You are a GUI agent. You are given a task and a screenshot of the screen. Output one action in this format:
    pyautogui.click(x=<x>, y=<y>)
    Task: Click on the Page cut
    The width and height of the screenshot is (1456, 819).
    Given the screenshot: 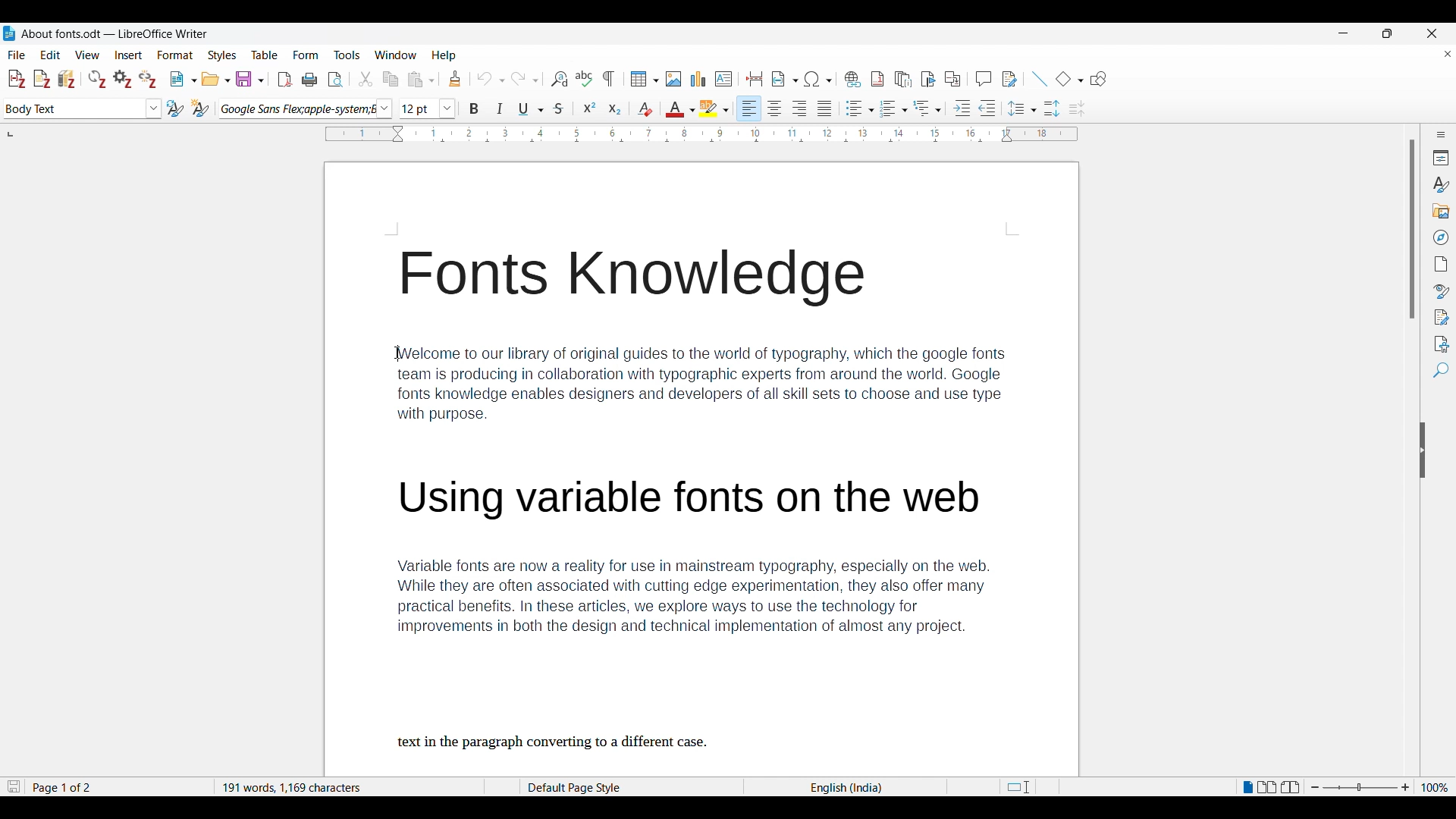 What is the action you would take?
    pyautogui.click(x=1021, y=787)
    